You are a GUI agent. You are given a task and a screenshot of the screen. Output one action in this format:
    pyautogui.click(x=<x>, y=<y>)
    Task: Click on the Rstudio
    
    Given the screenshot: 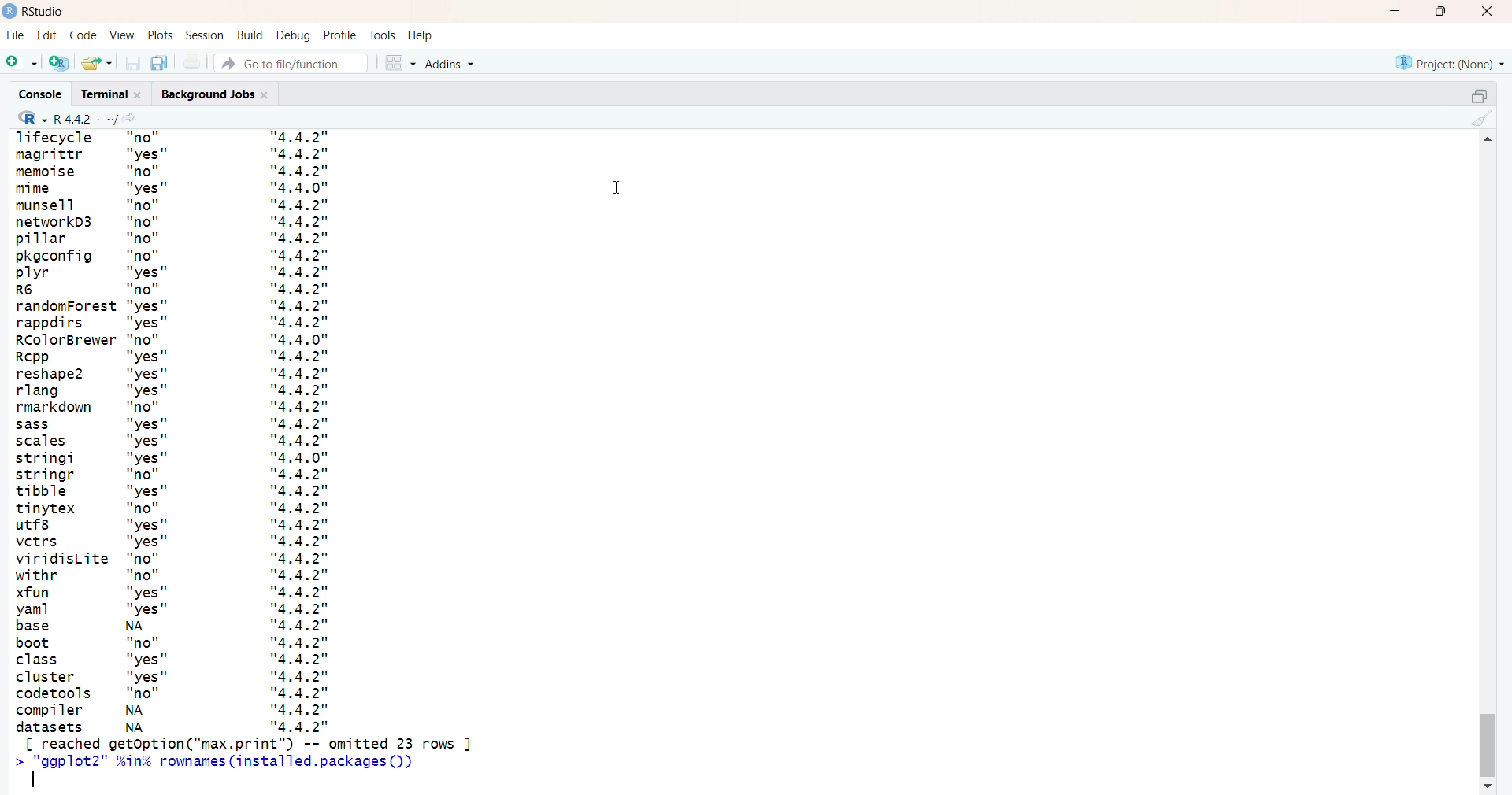 What is the action you would take?
    pyautogui.click(x=35, y=10)
    